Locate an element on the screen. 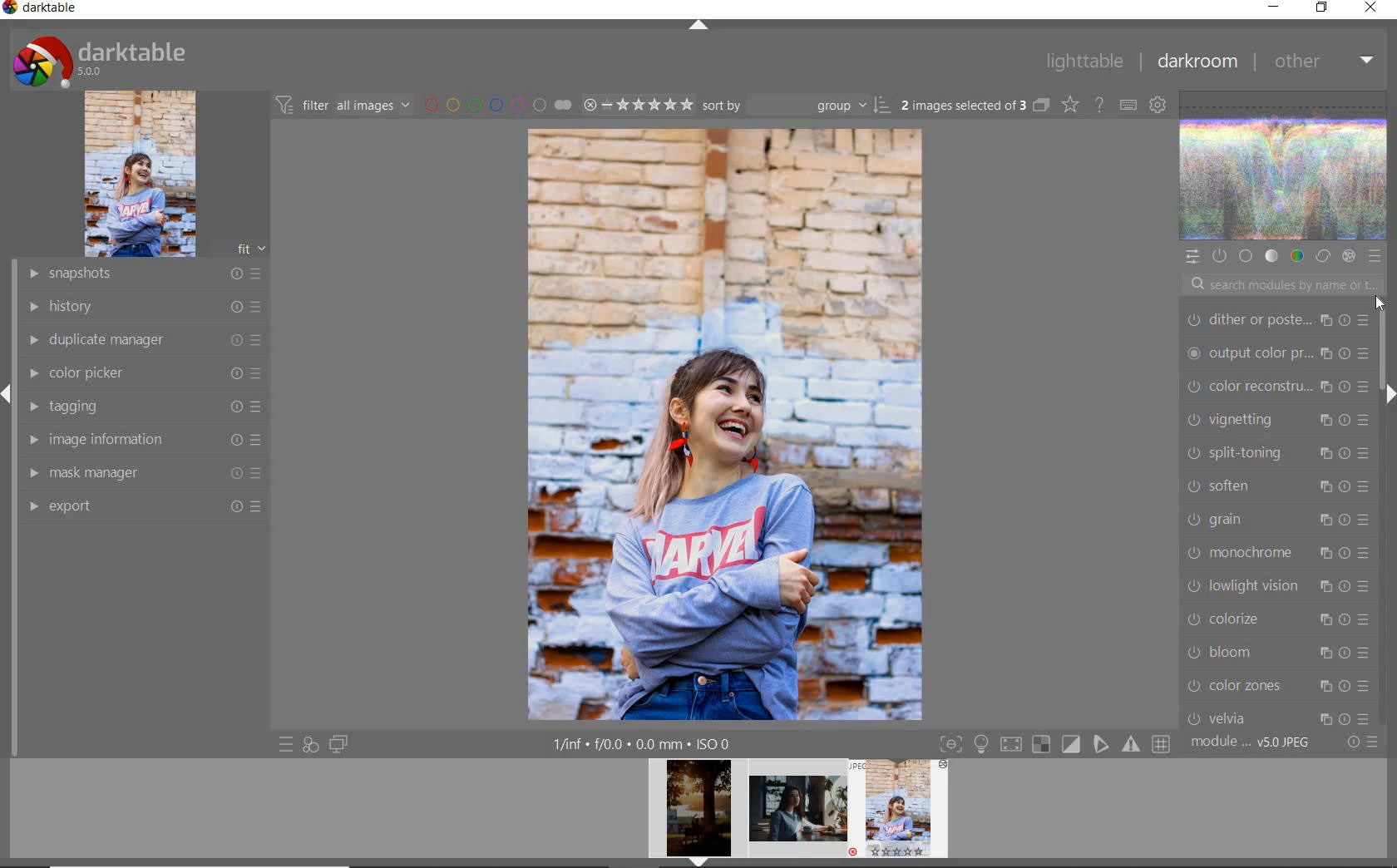 The height and width of the screenshot is (868, 1397). reset or preset preference is located at coordinates (1361, 743).